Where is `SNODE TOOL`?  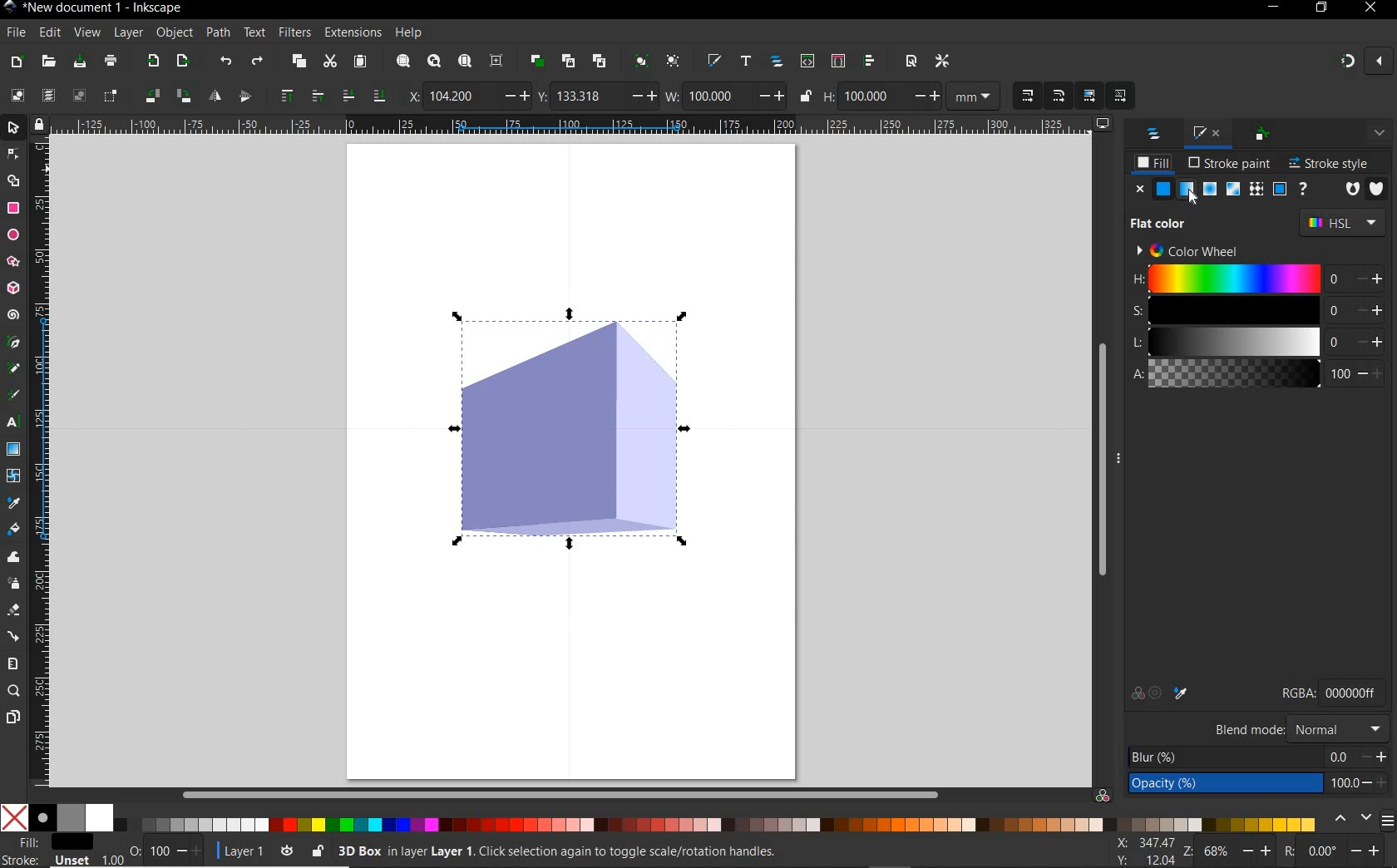
SNODE TOOL is located at coordinates (12, 154).